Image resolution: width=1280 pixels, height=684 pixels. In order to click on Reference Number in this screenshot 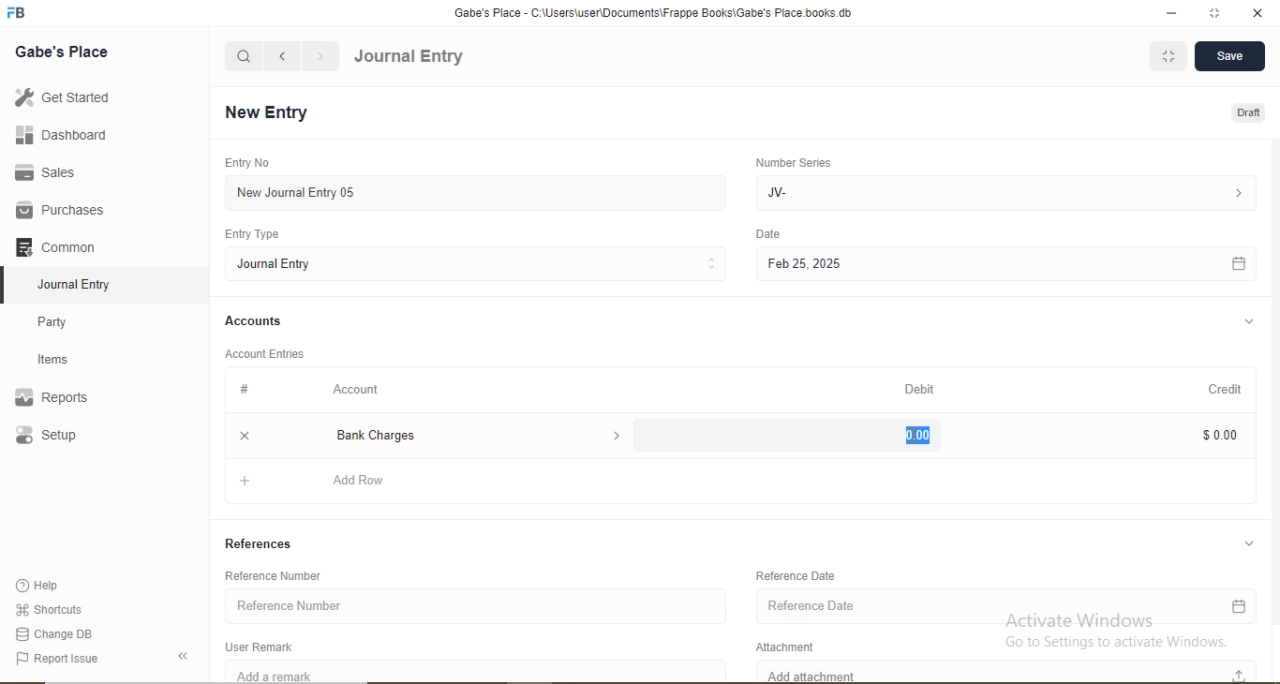, I will do `click(281, 575)`.